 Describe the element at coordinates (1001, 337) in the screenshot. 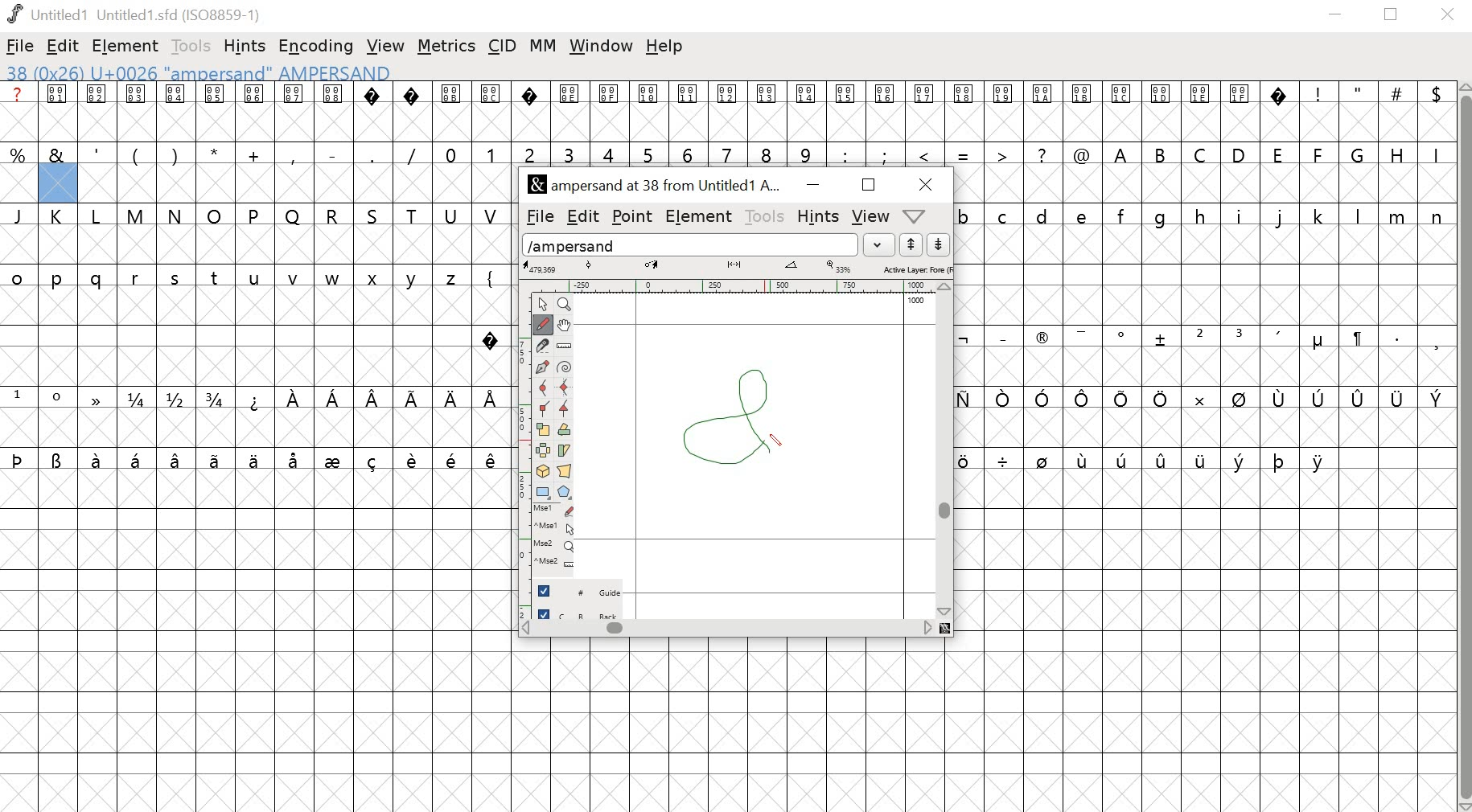

I see `_` at that location.